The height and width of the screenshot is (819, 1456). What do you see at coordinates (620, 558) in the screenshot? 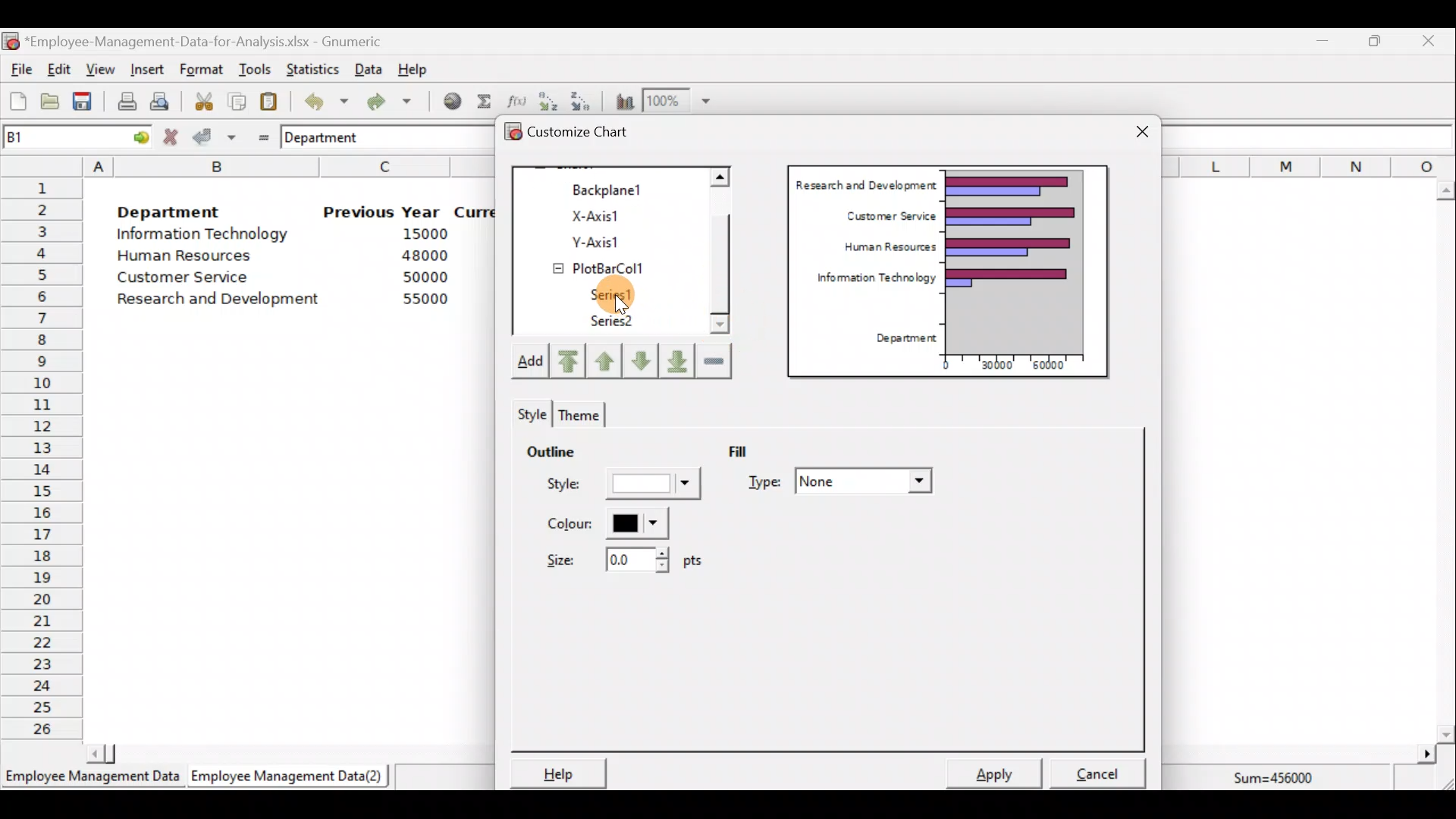
I see `Size` at bounding box center [620, 558].